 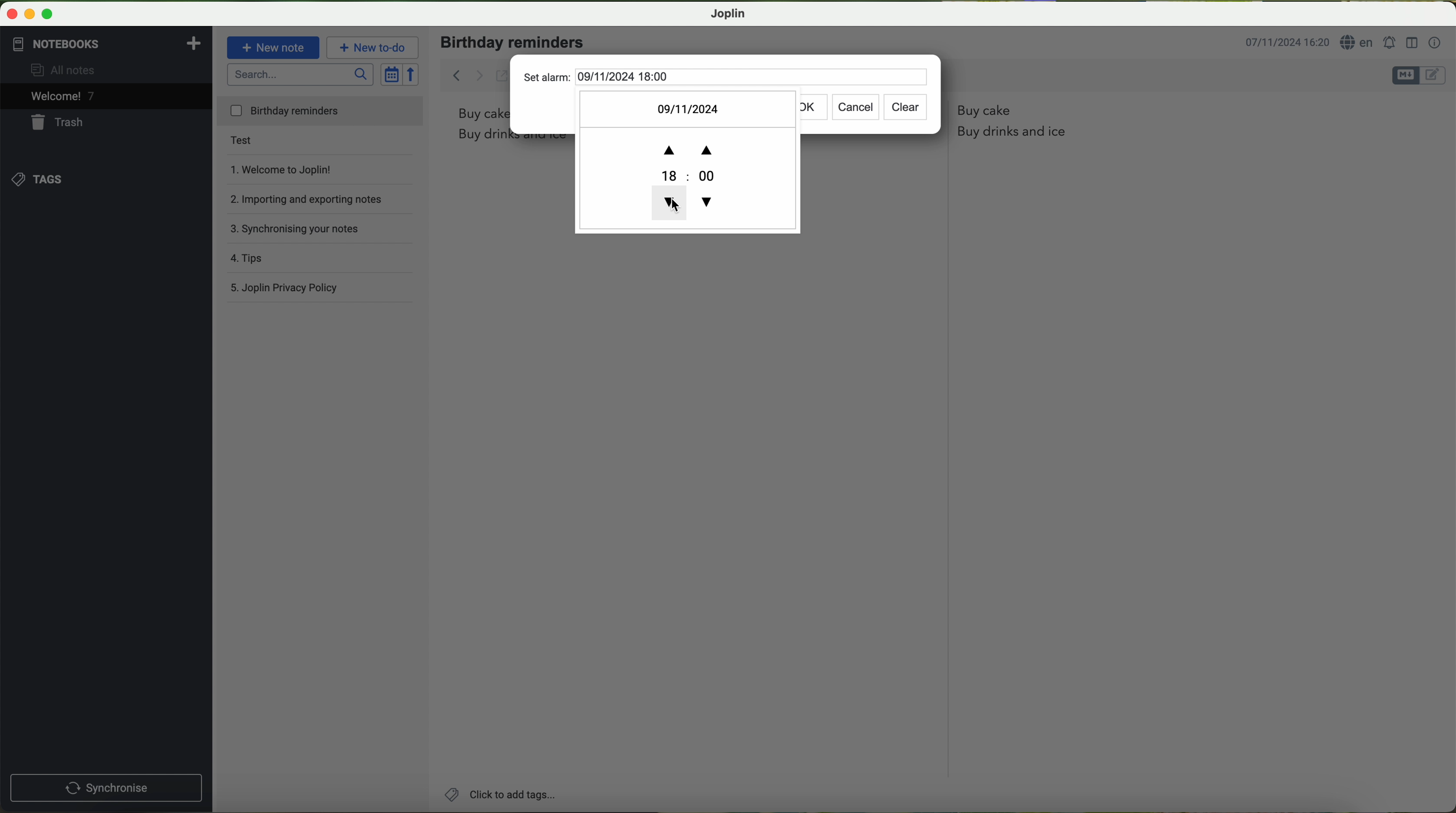 What do you see at coordinates (300, 76) in the screenshot?
I see `search bar` at bounding box center [300, 76].